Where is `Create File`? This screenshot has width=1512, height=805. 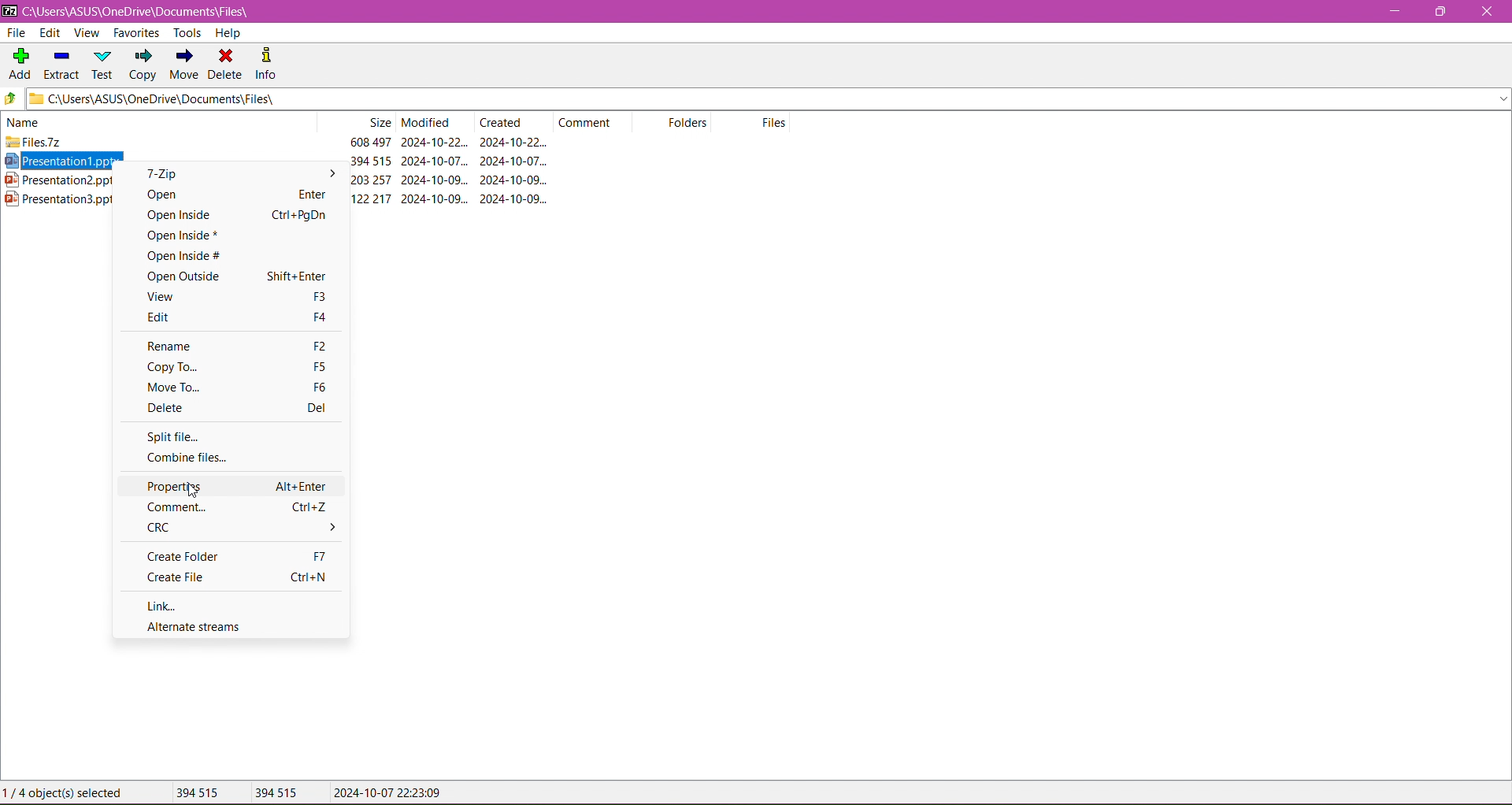
Create File is located at coordinates (237, 577).